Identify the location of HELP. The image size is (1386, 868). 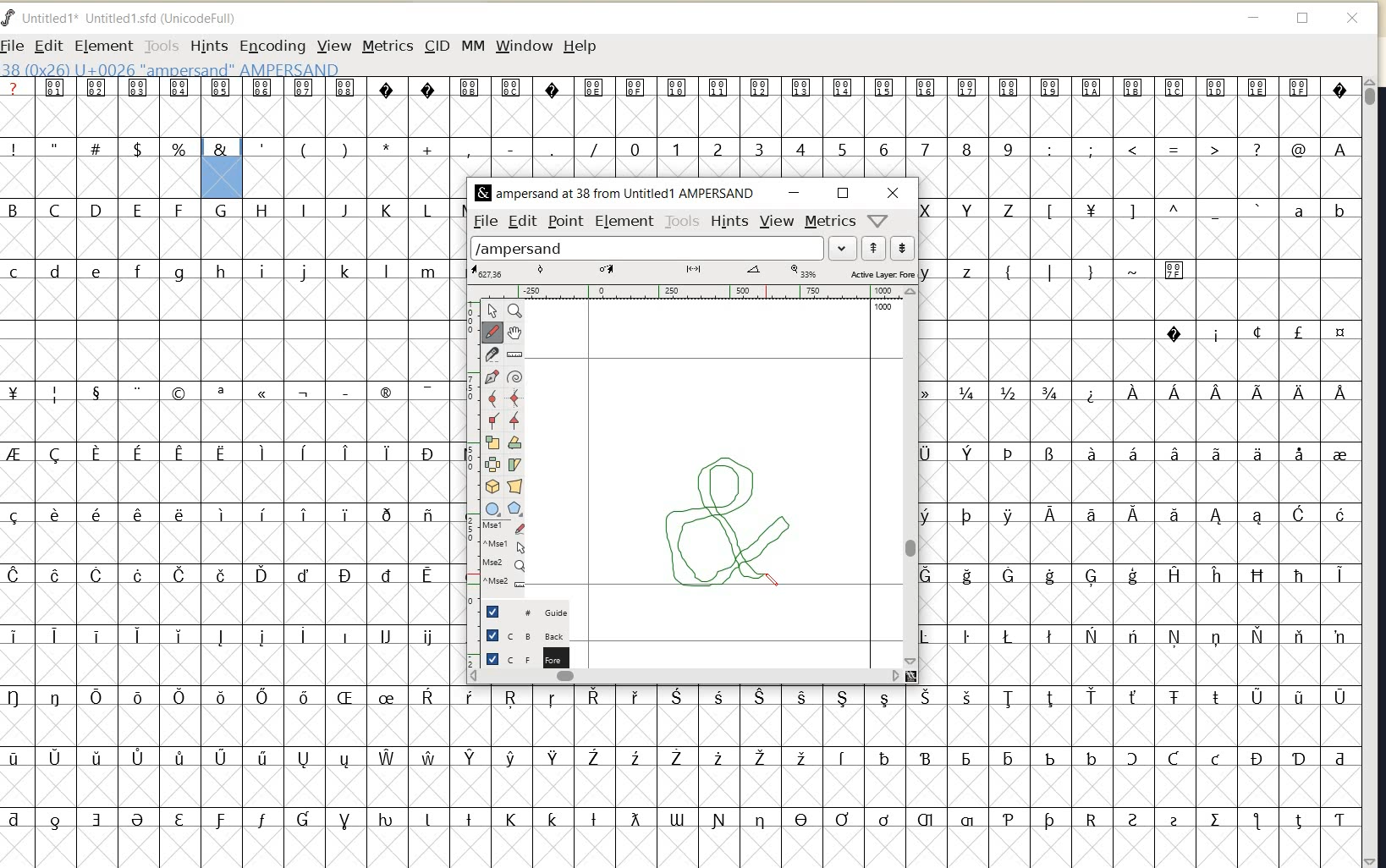
(580, 47).